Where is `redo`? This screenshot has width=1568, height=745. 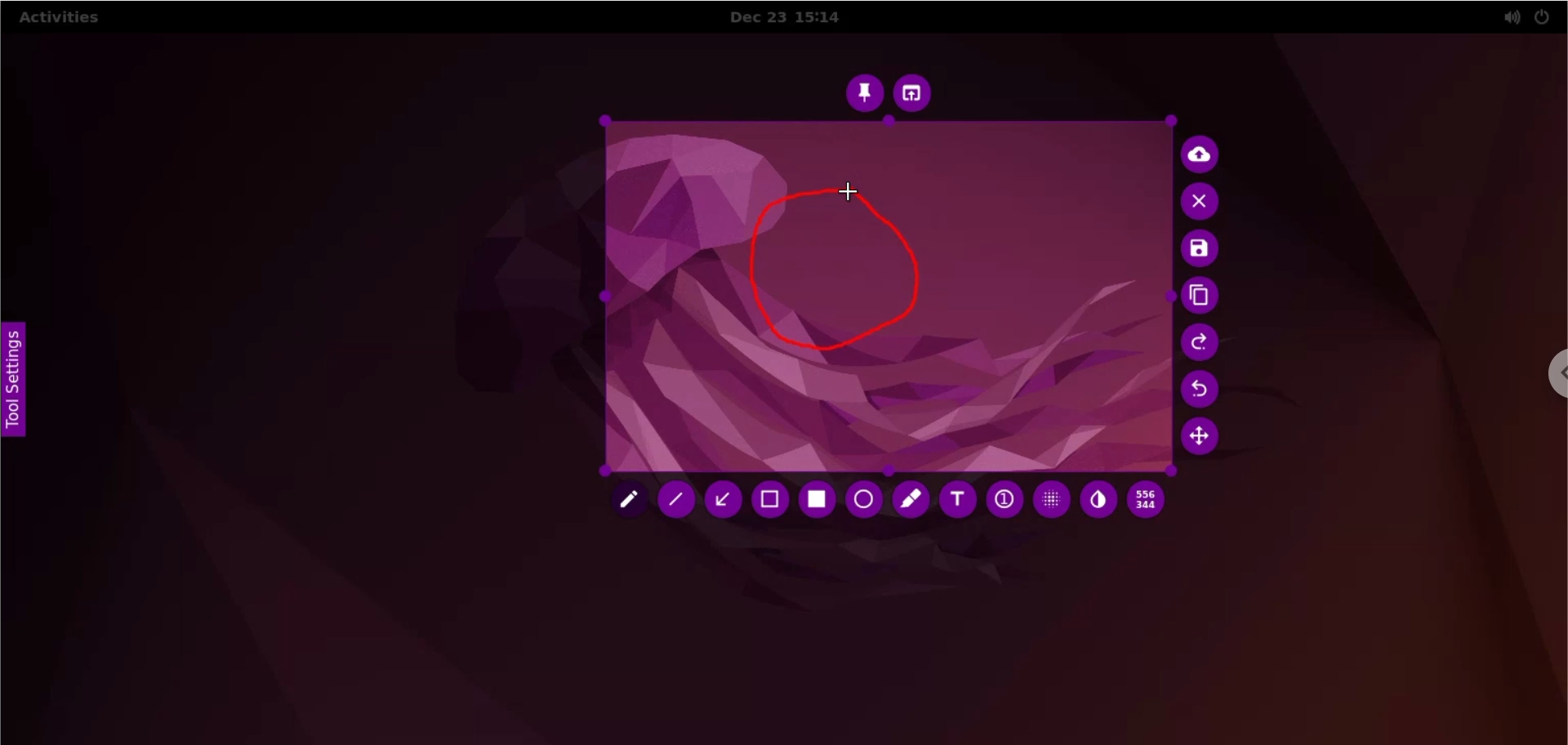
redo is located at coordinates (1202, 346).